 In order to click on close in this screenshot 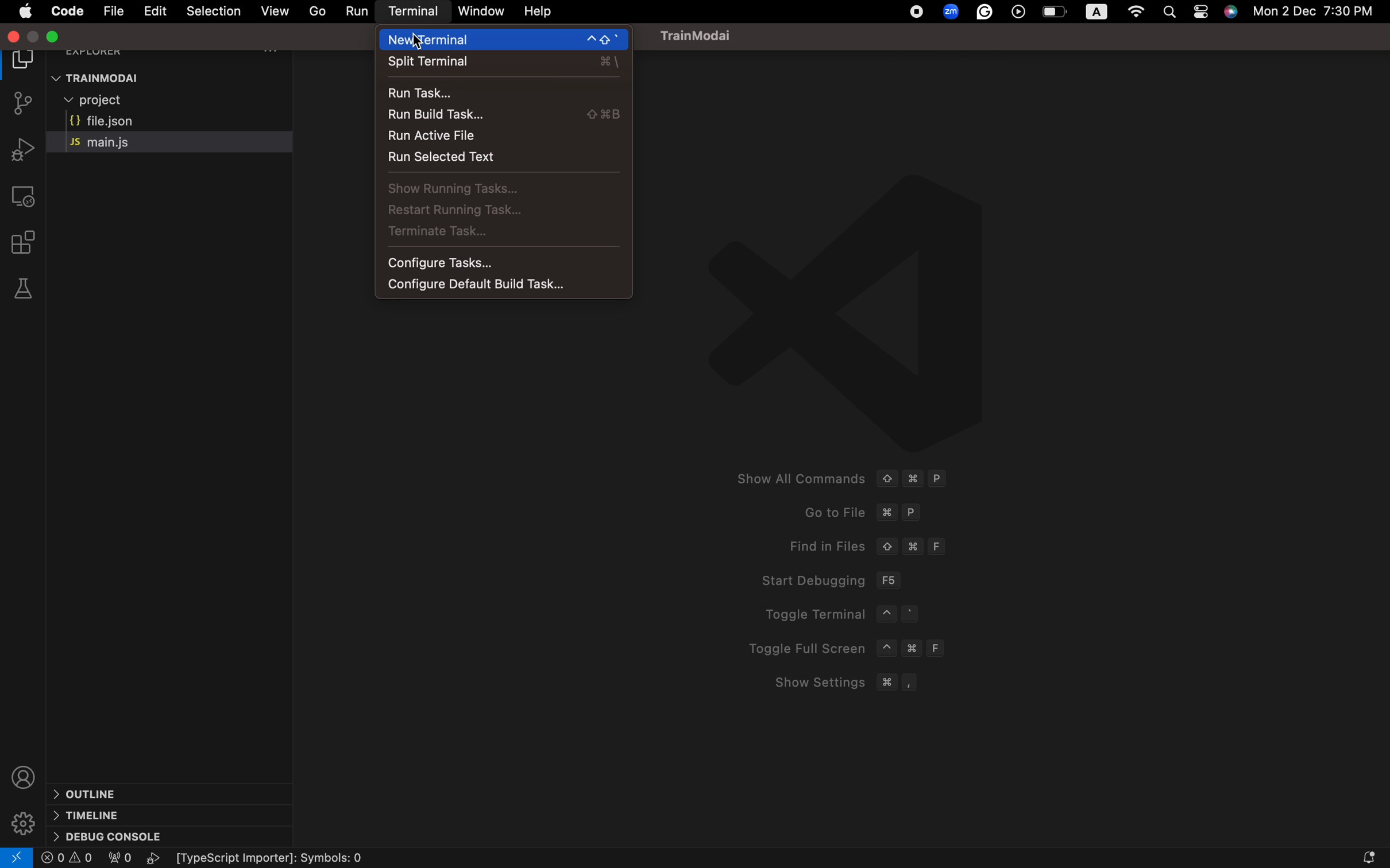, I will do `click(14, 37)`.